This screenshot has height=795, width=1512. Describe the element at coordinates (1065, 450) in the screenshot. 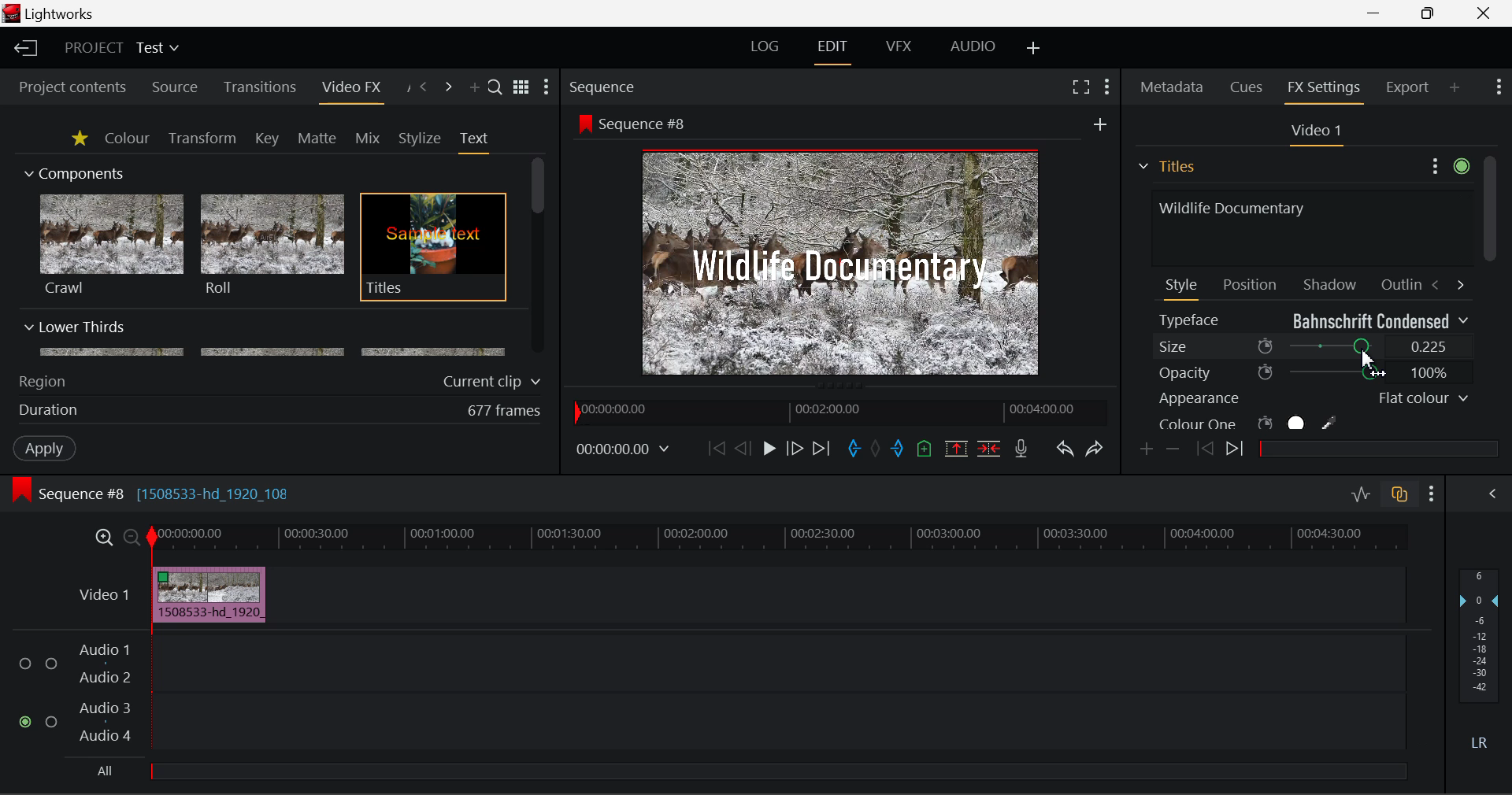

I see `Undo` at that location.